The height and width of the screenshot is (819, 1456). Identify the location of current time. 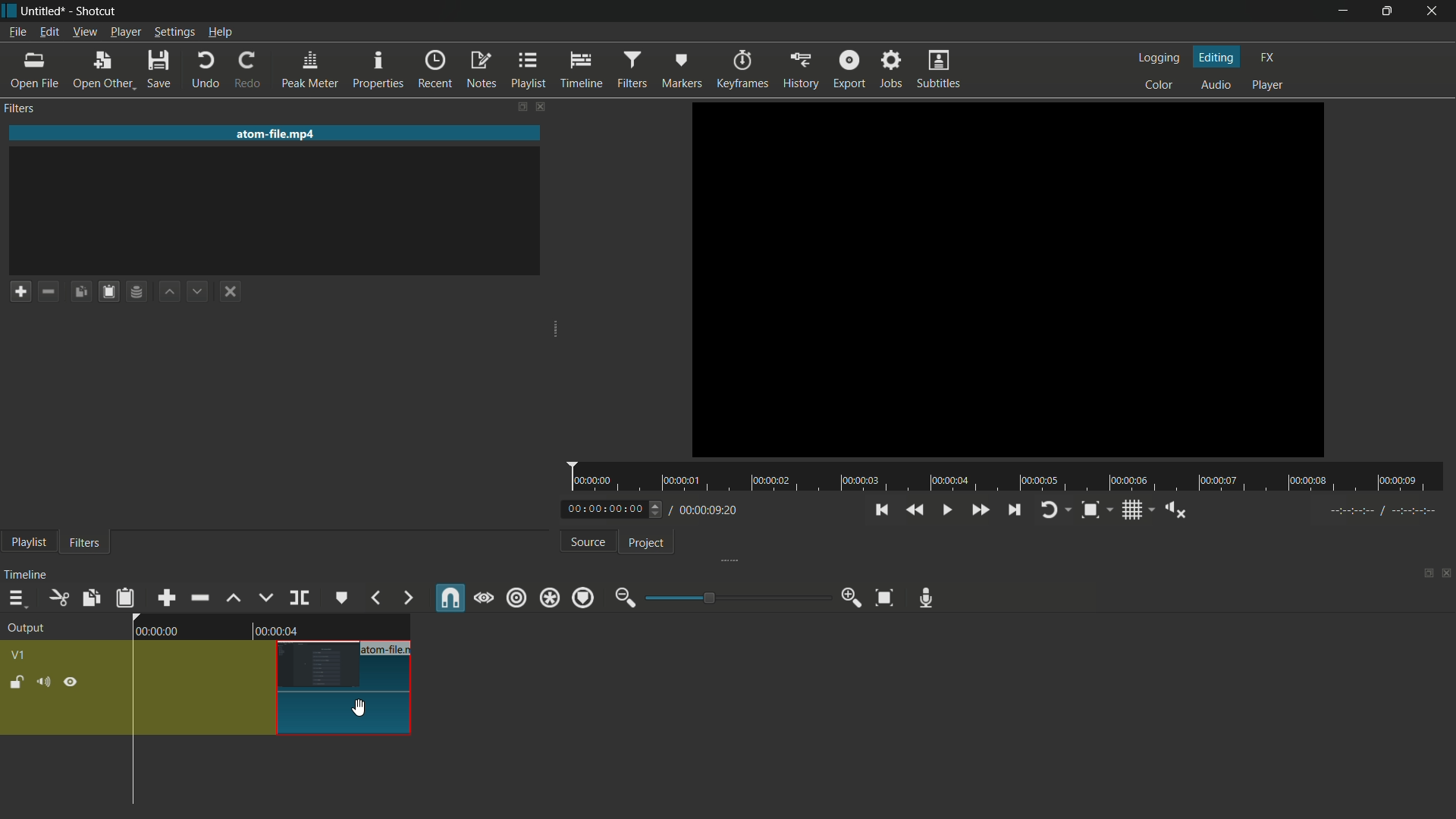
(605, 508).